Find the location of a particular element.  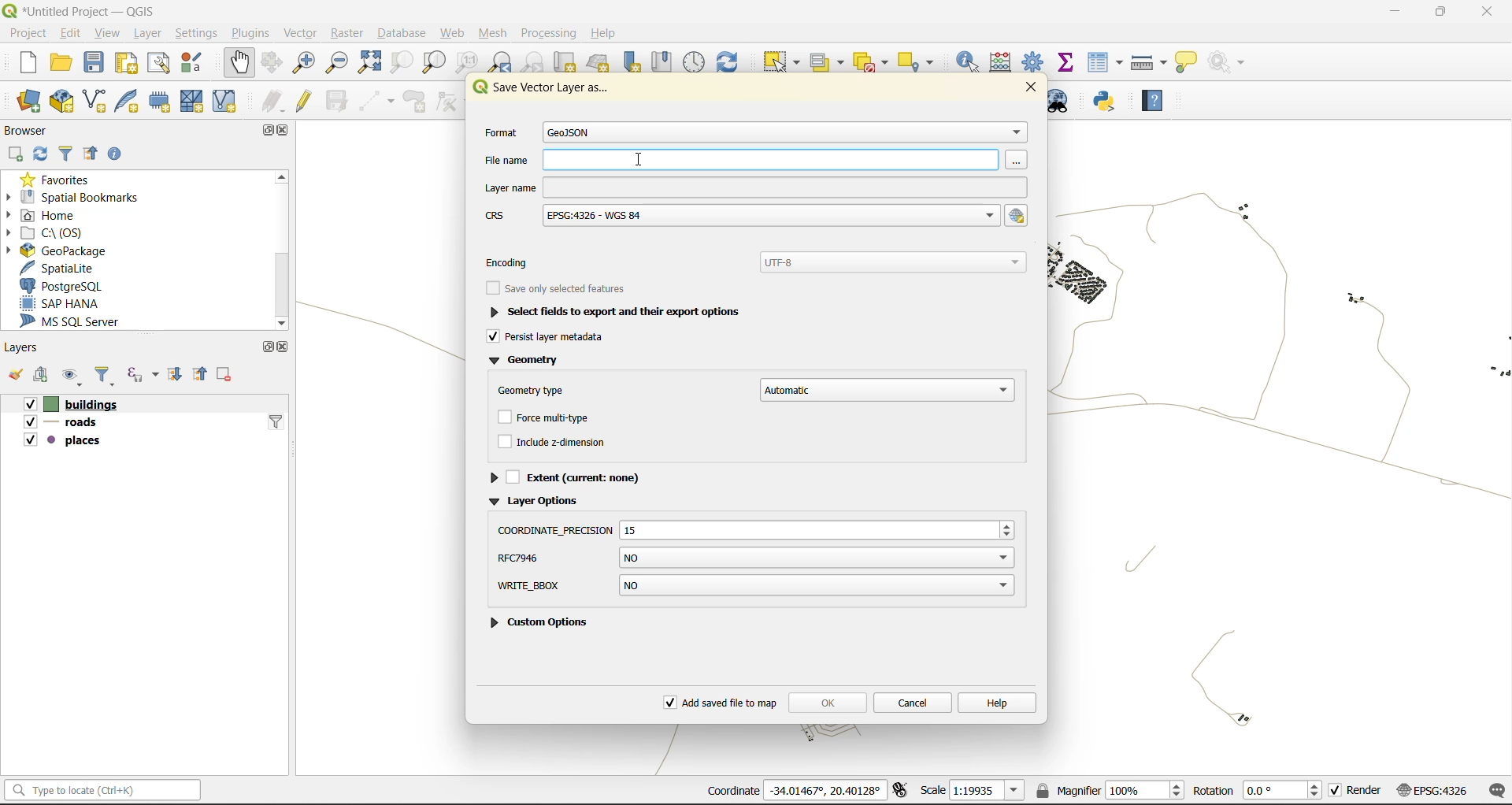

open data source manager is located at coordinates (32, 102).